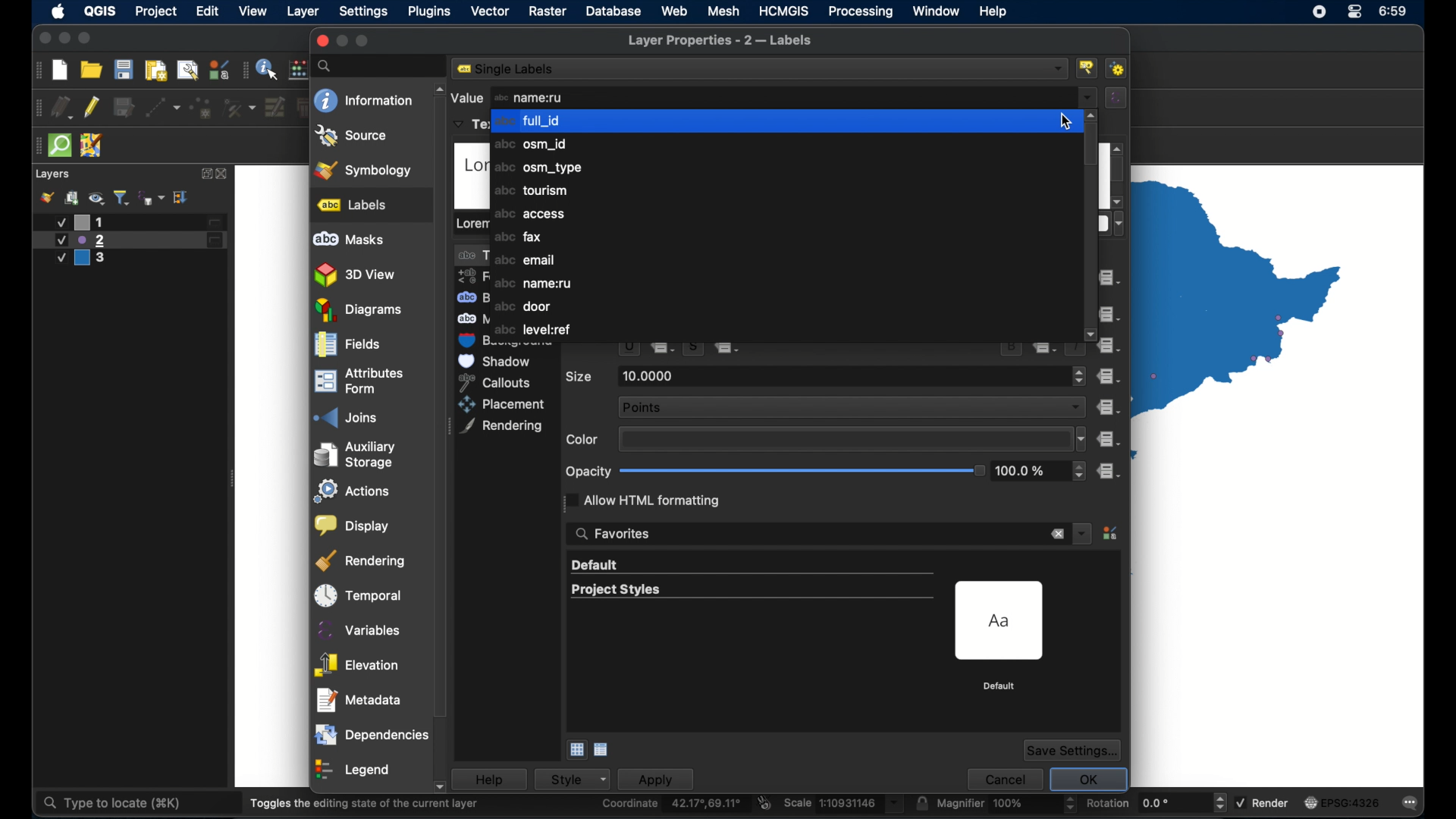 The width and height of the screenshot is (1456, 819). I want to click on window, so click(937, 12).